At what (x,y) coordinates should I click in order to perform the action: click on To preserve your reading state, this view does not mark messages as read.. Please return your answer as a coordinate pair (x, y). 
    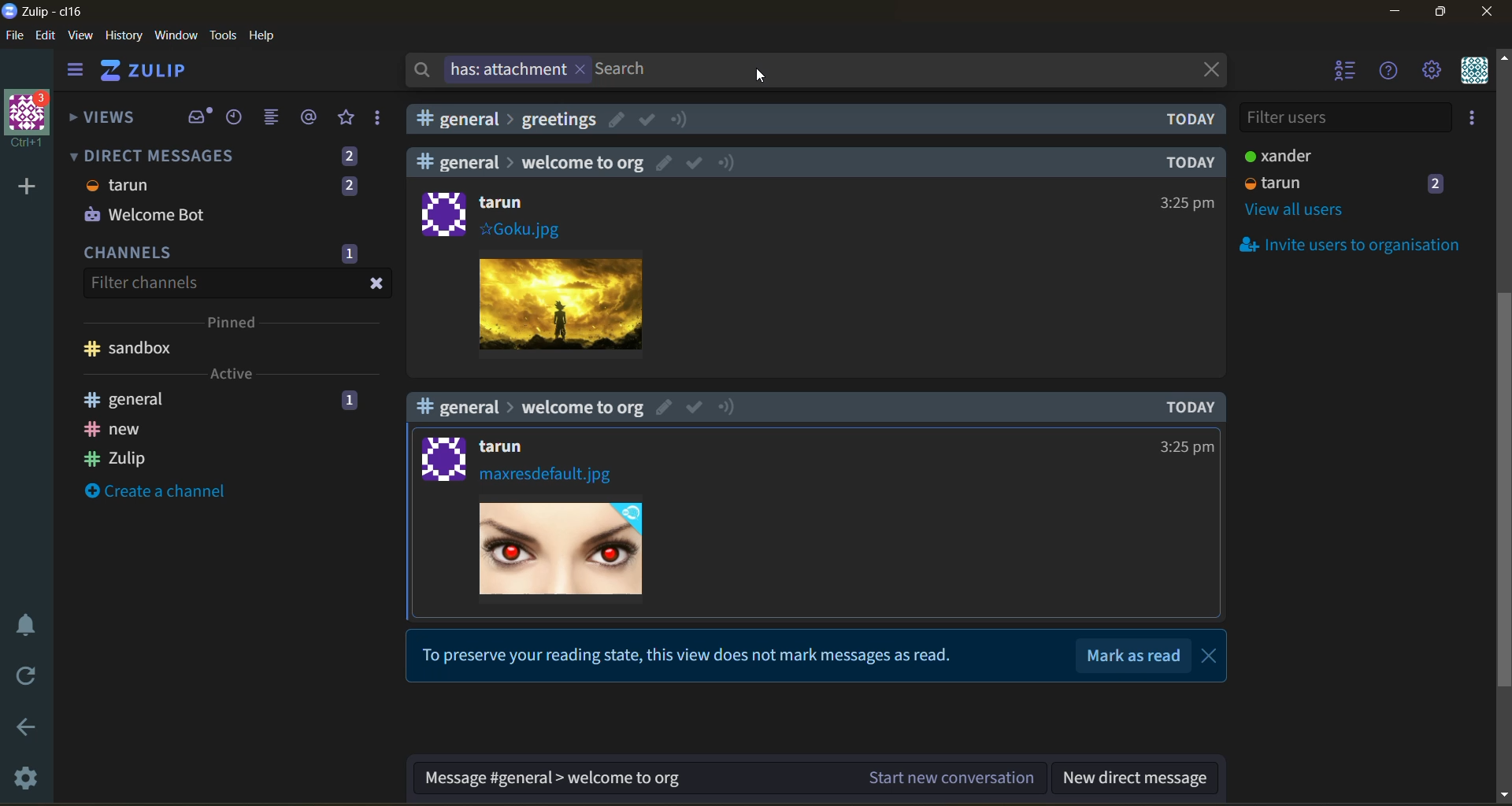
    Looking at the image, I should click on (692, 657).